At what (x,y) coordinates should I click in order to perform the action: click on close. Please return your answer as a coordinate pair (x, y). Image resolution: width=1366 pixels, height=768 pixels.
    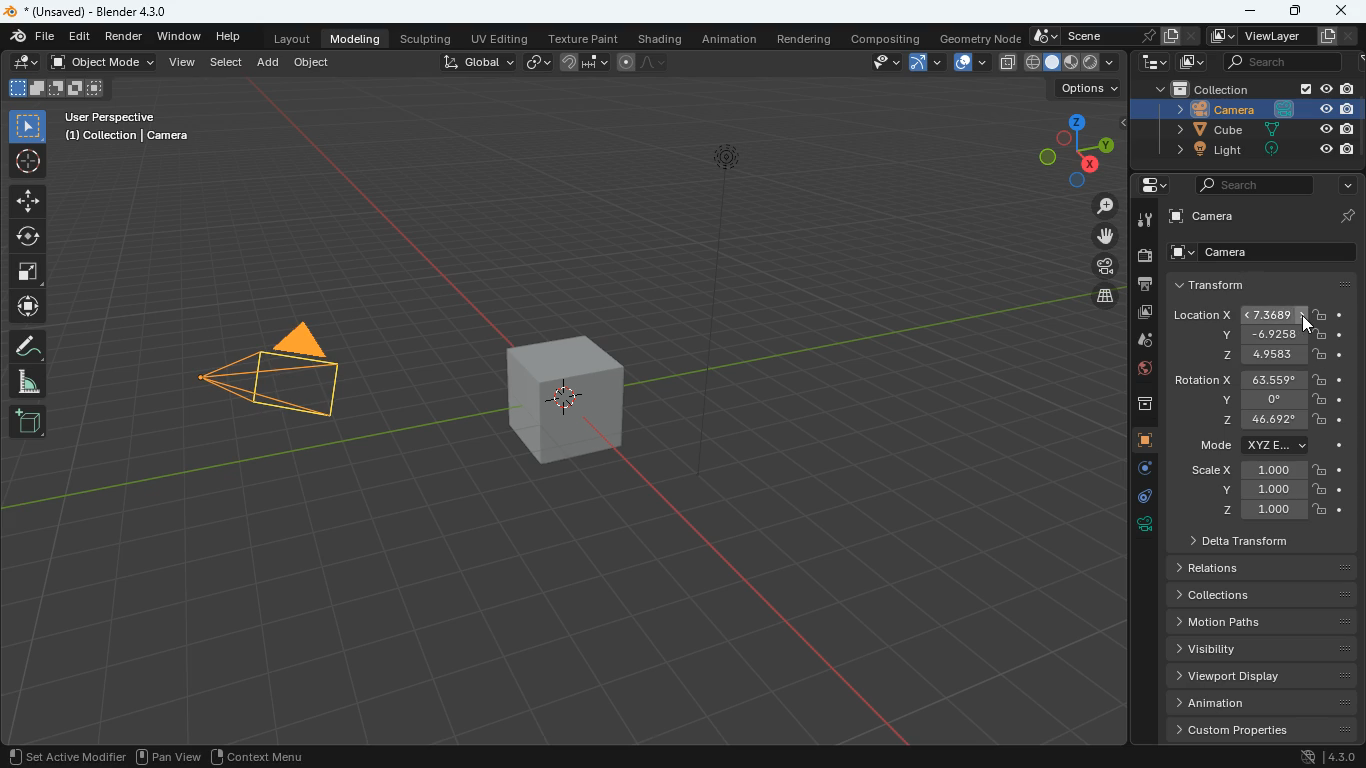
    Looking at the image, I should click on (1341, 12).